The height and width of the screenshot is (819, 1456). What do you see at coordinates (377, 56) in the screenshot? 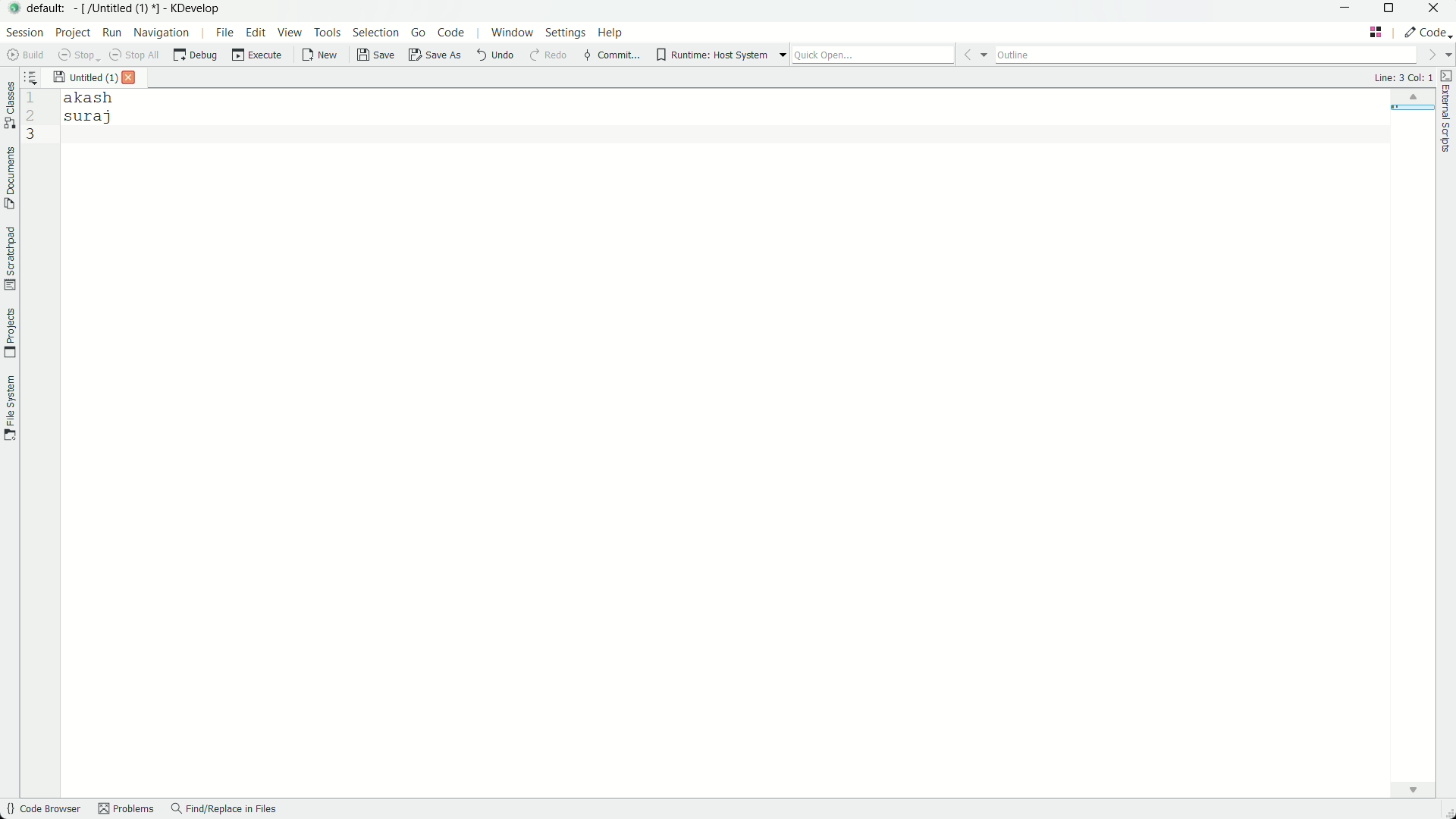
I see `save file` at bounding box center [377, 56].